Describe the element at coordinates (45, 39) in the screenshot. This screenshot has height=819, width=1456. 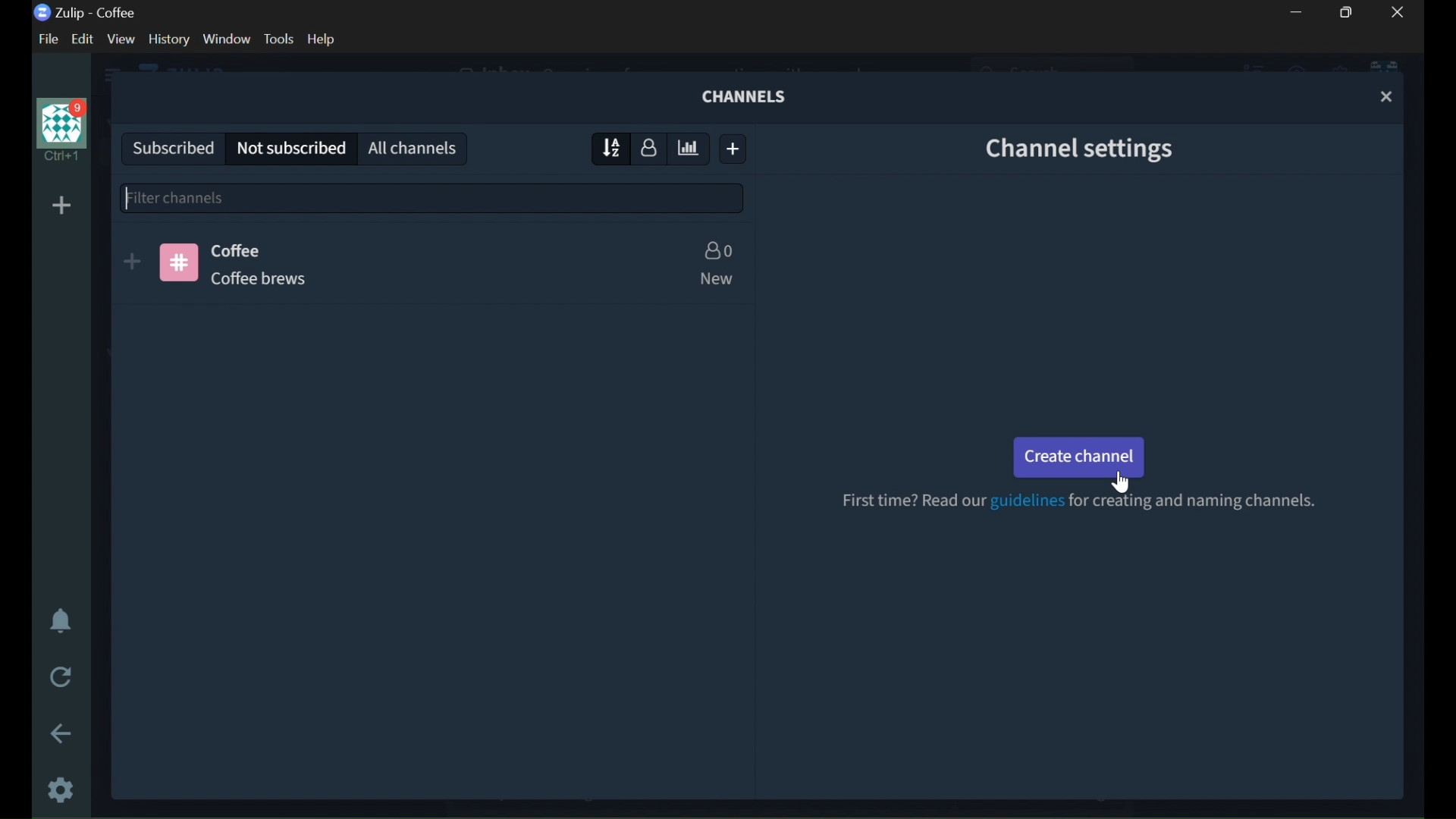
I see `FILE` at that location.